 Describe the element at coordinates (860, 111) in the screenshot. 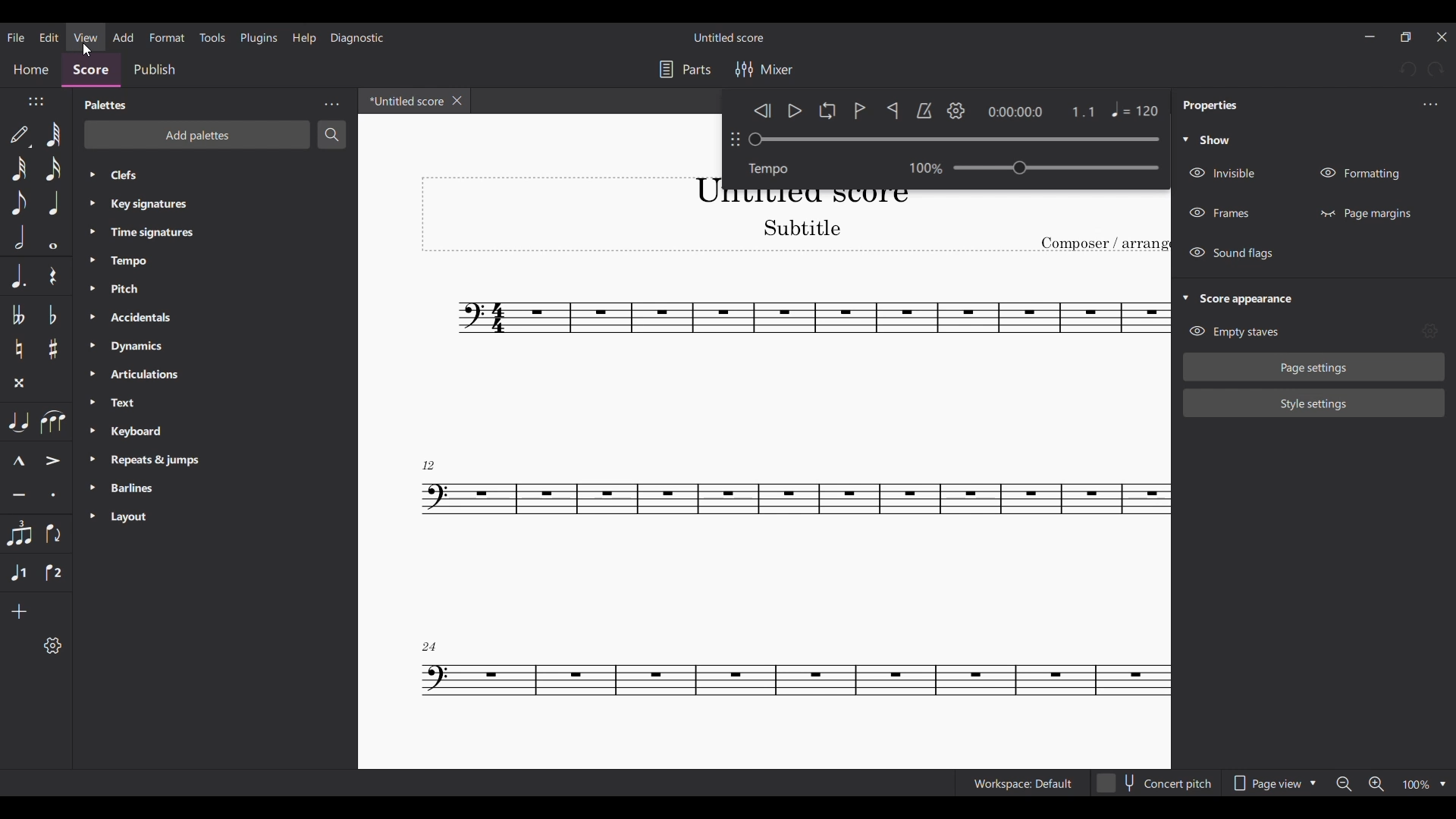

I see `Set loop marker left` at that location.